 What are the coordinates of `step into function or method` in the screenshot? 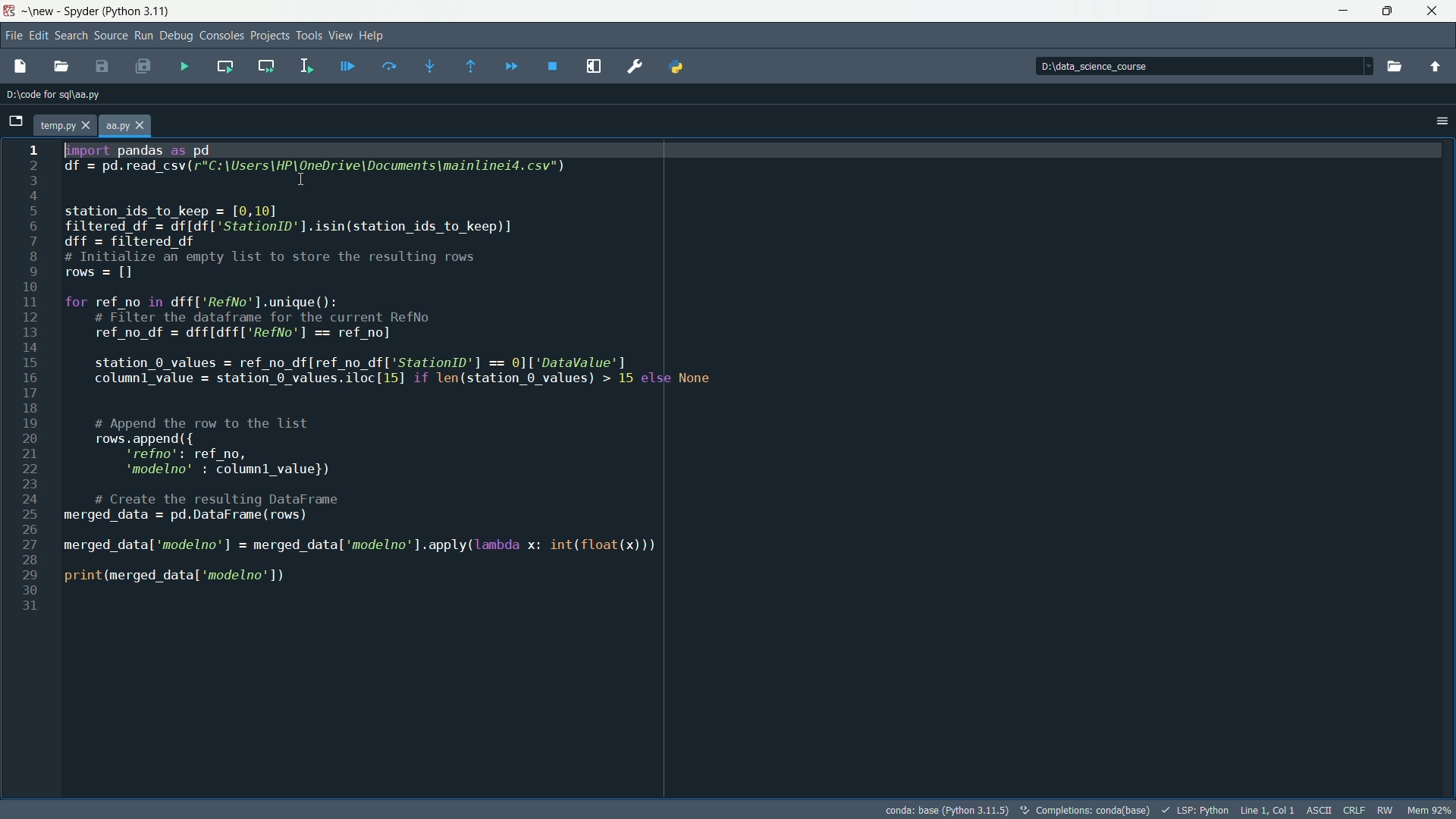 It's located at (431, 65).